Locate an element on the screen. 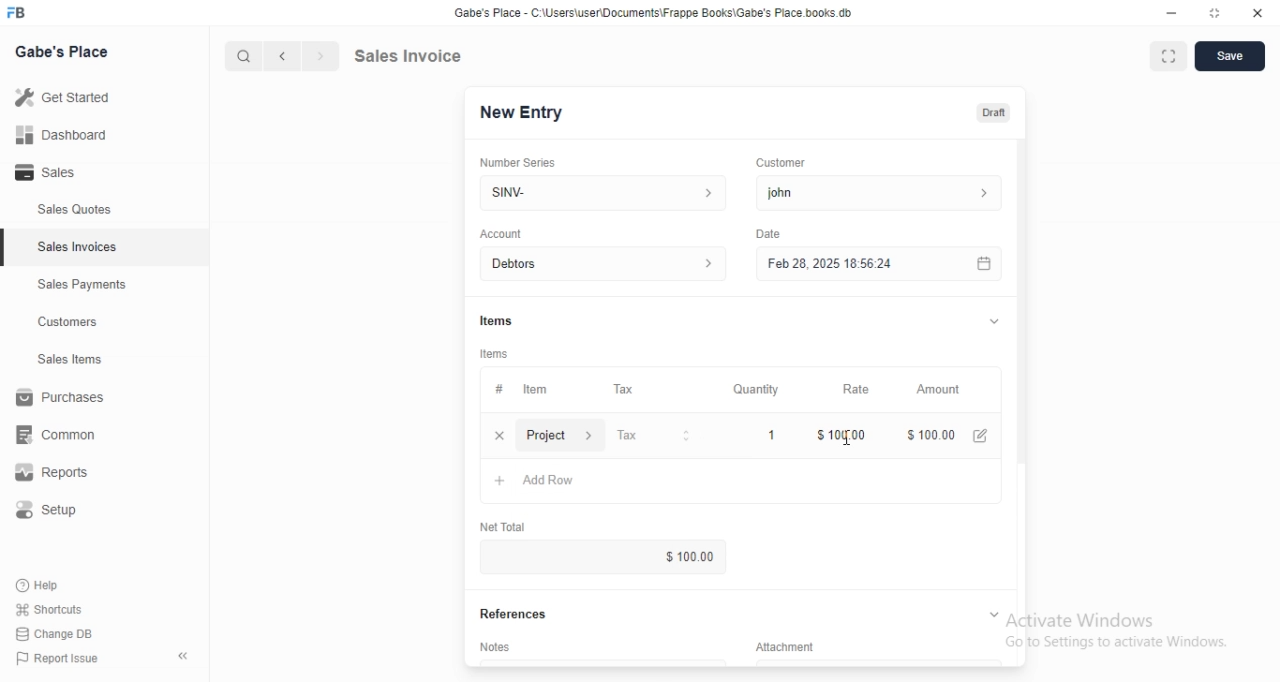 This screenshot has height=682, width=1280. all Dashboard is located at coordinates (69, 141).